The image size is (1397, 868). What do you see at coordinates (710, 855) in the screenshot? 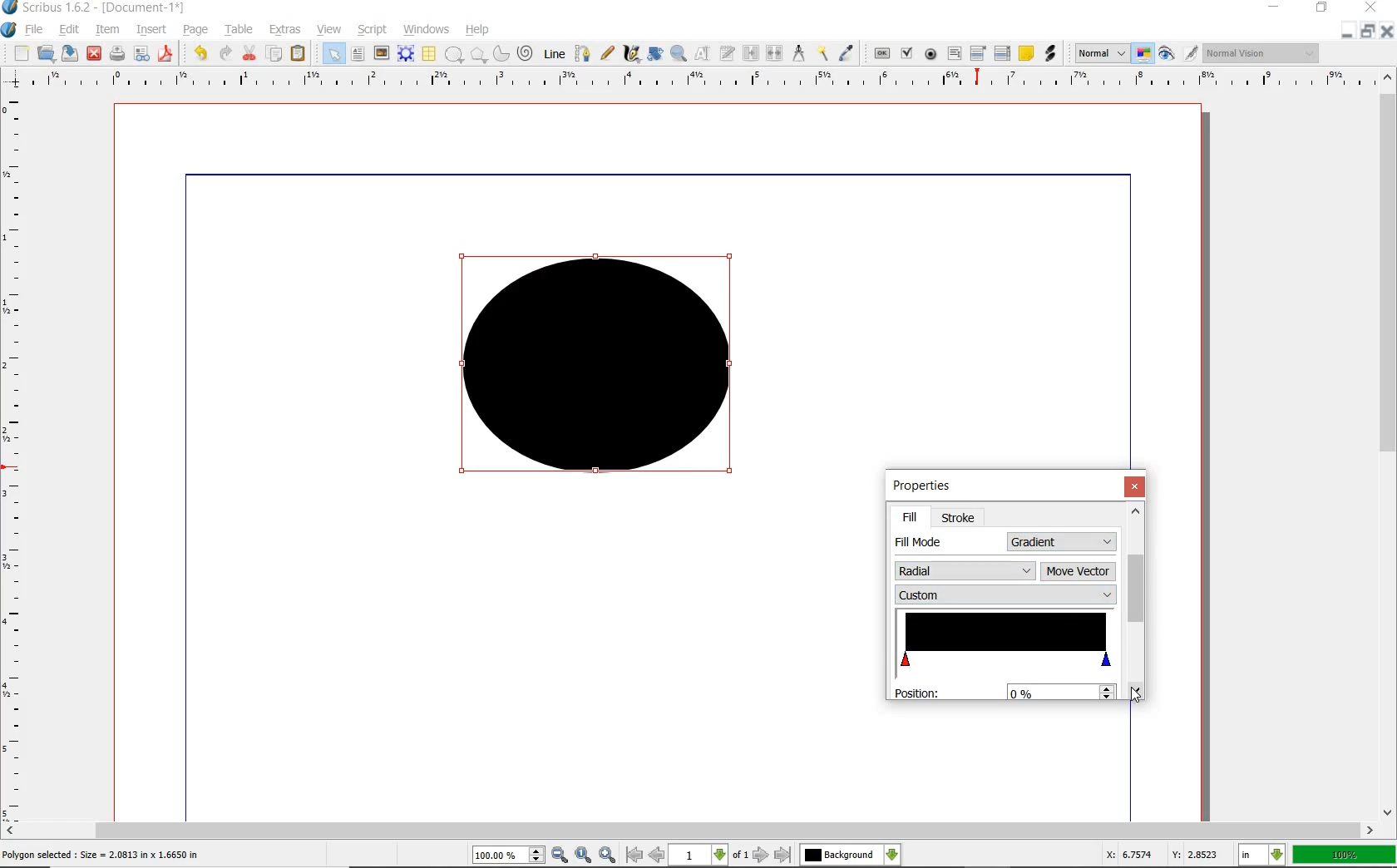
I see `1 of 1` at bounding box center [710, 855].